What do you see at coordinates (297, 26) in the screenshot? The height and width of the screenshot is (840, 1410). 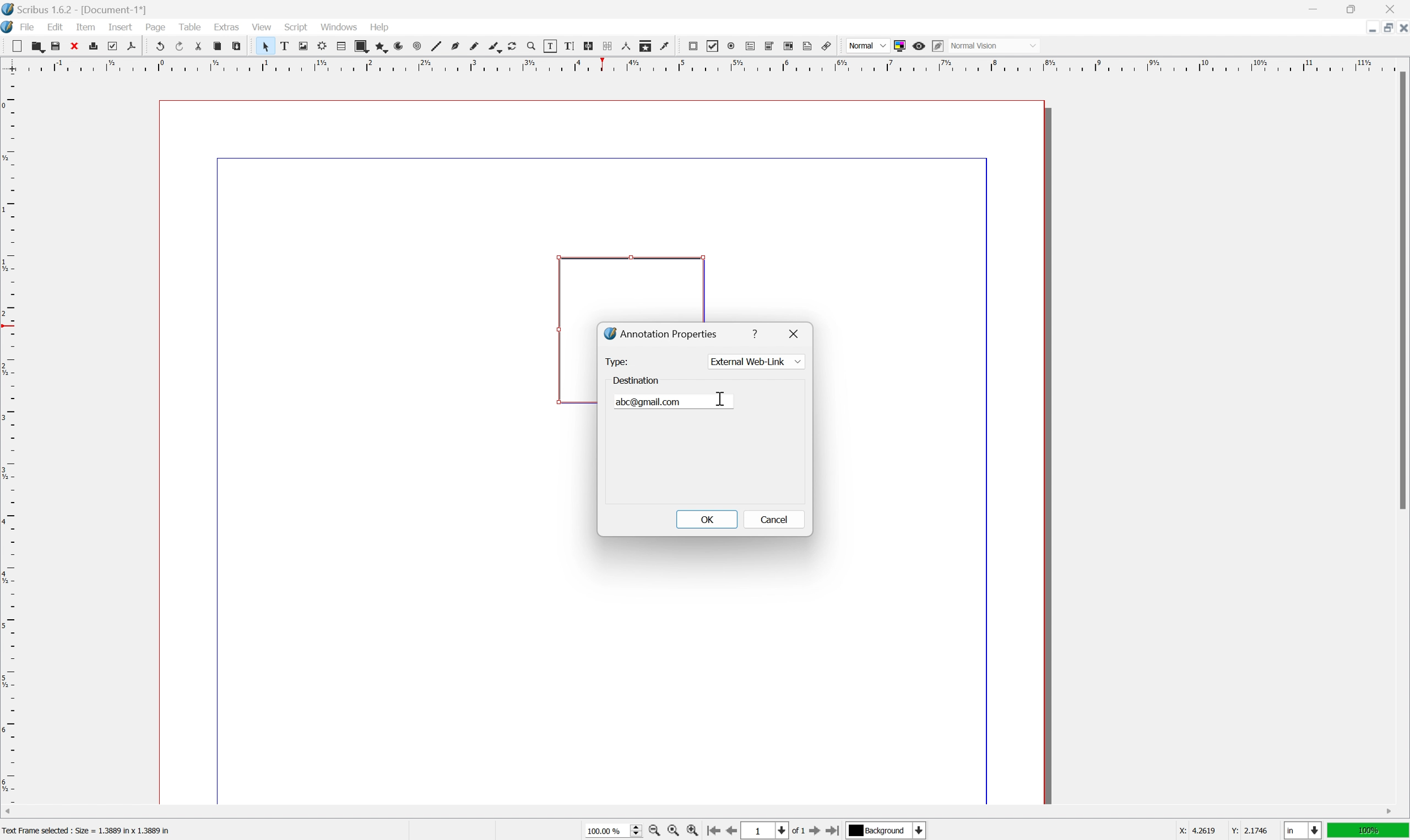 I see `Script` at bounding box center [297, 26].